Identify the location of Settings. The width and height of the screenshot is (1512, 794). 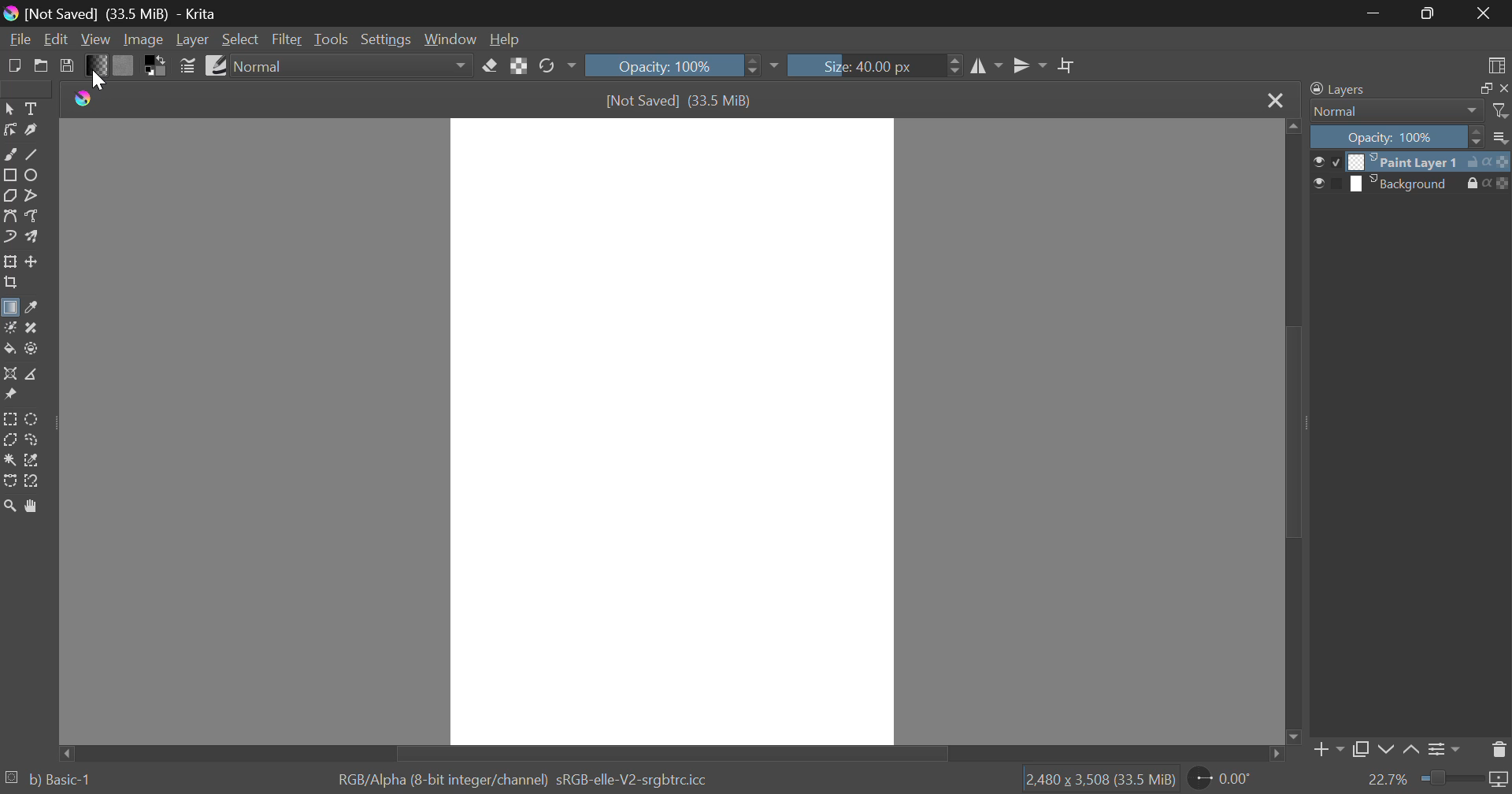
(384, 39).